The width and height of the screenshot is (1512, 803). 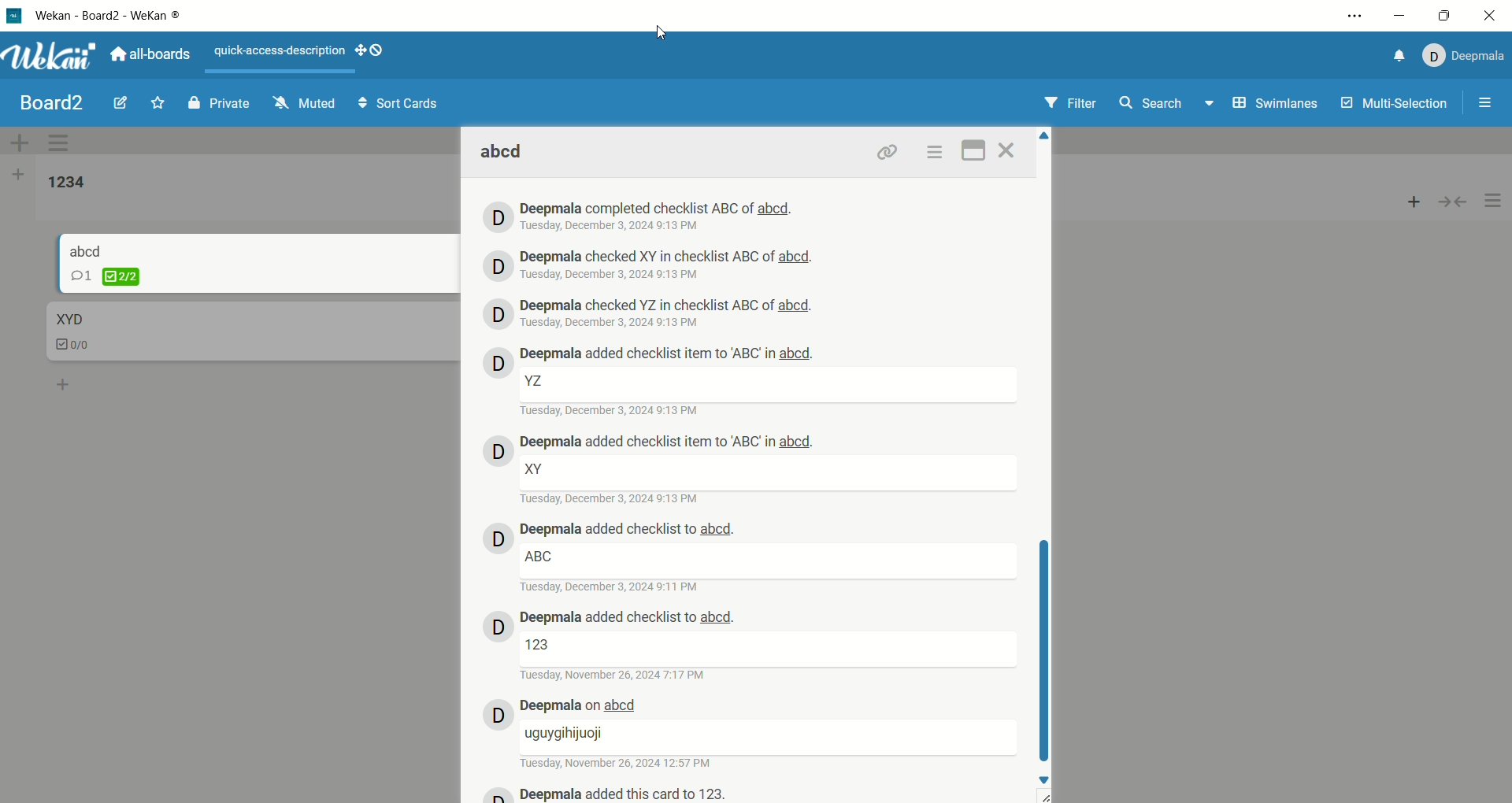 I want to click on logo, so click(x=15, y=18).